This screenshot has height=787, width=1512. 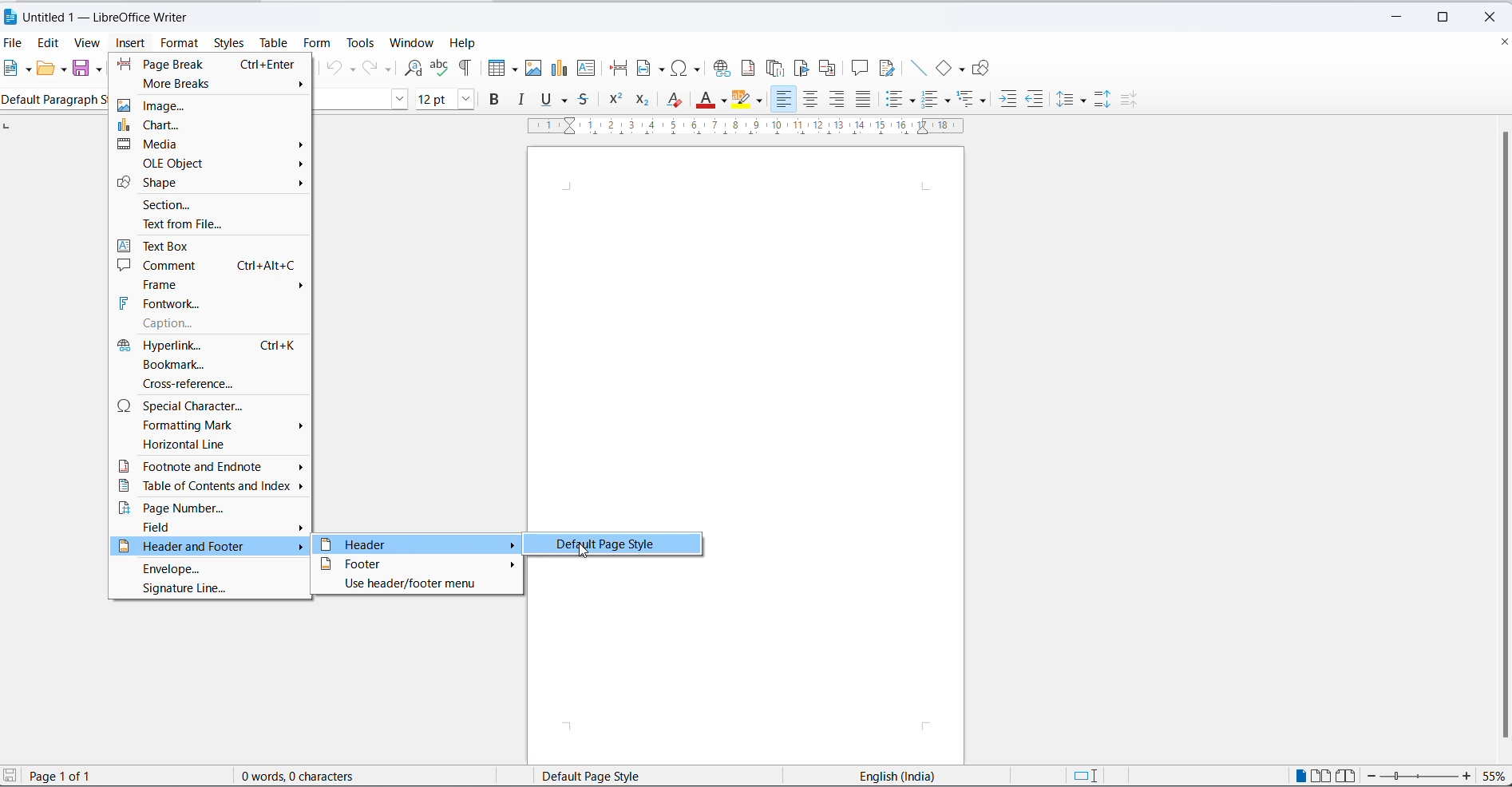 I want to click on shape, so click(x=214, y=185).